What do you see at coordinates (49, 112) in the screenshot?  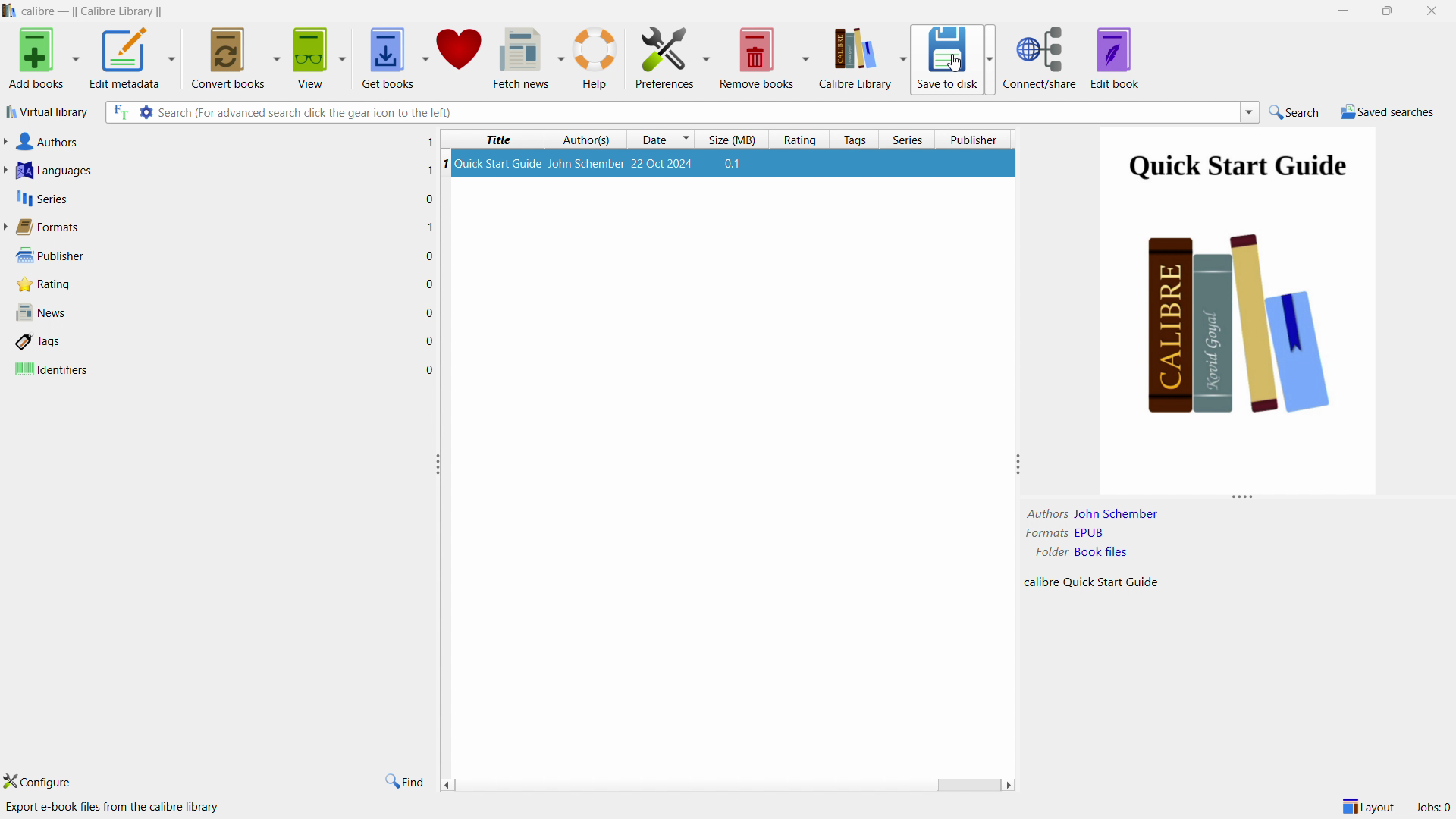 I see `Virtual library` at bounding box center [49, 112].